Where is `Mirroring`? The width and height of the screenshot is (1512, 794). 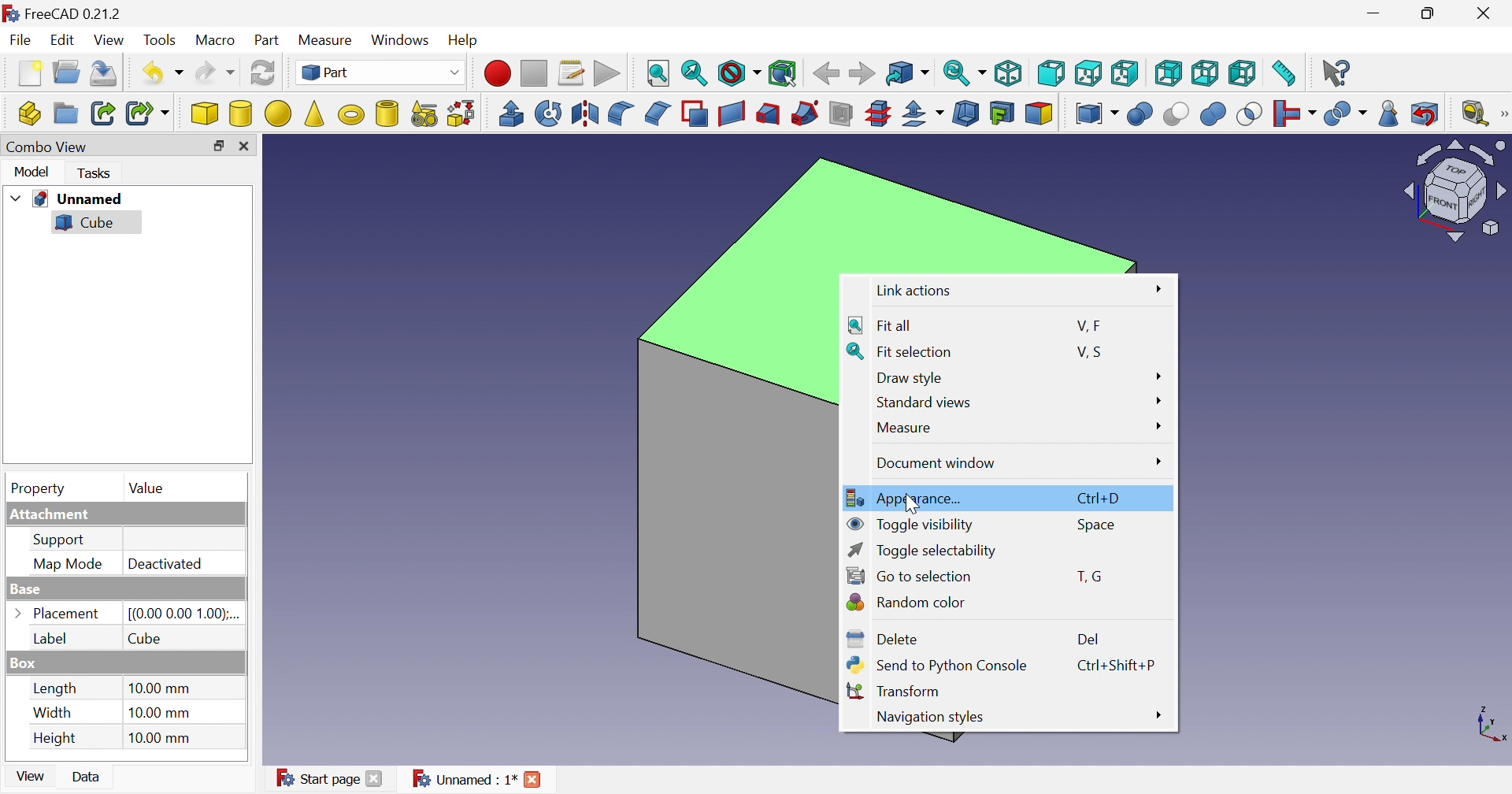 Mirroring is located at coordinates (584, 113).